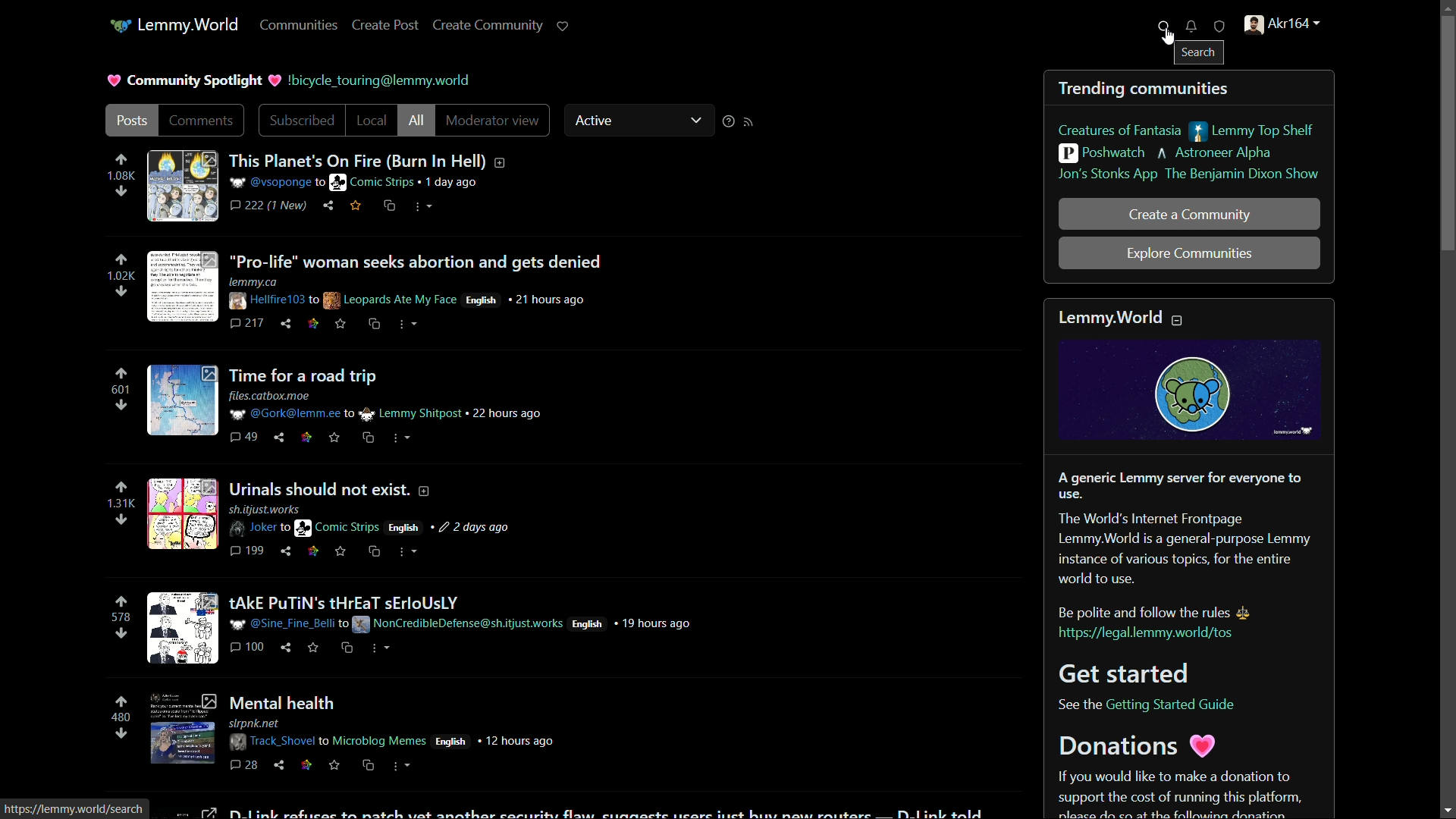 This screenshot has width=1456, height=819. I want to click on creature of fantasia, so click(1119, 130).